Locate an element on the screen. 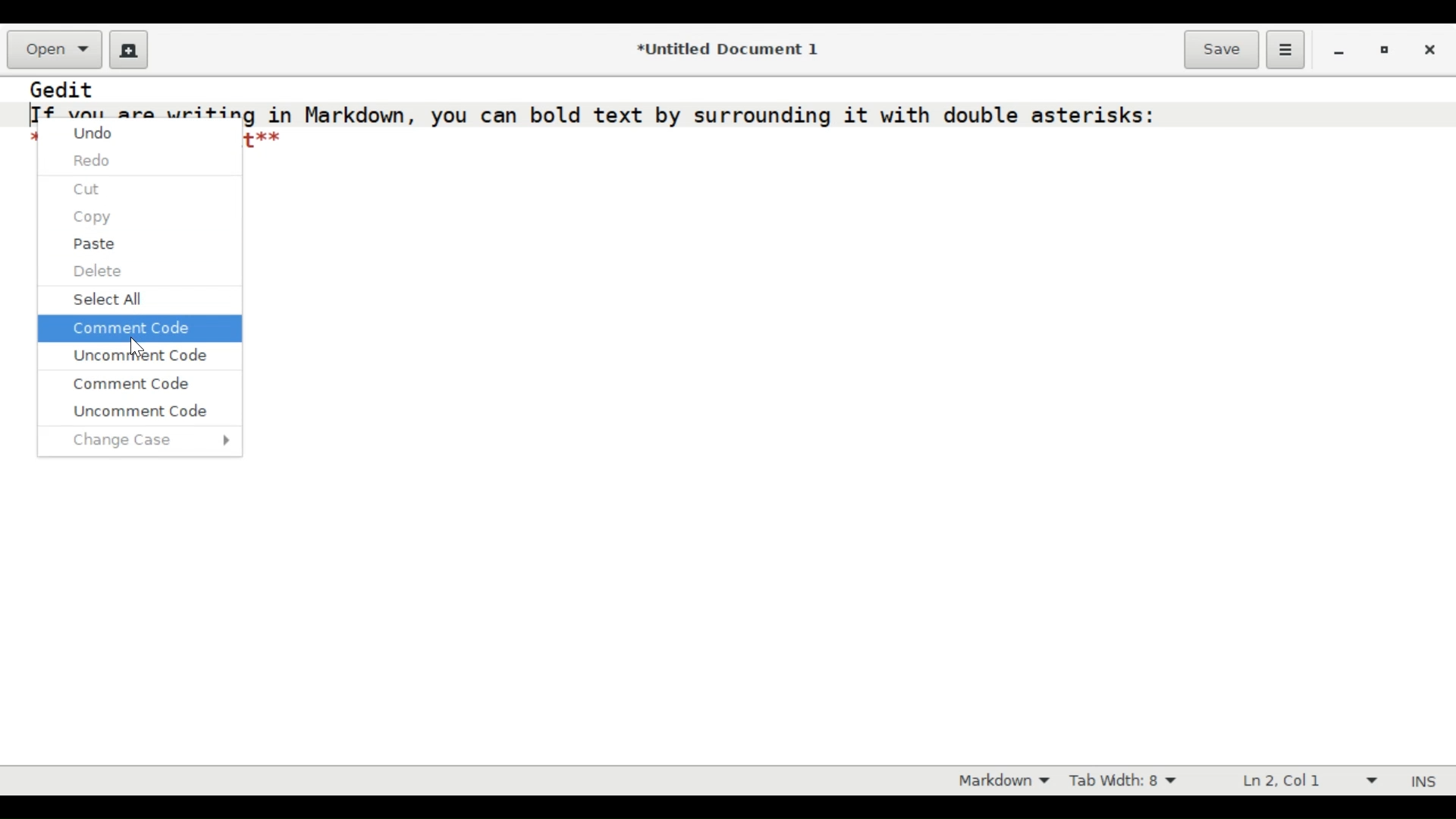  Line & Column Preference is located at coordinates (1304, 781).